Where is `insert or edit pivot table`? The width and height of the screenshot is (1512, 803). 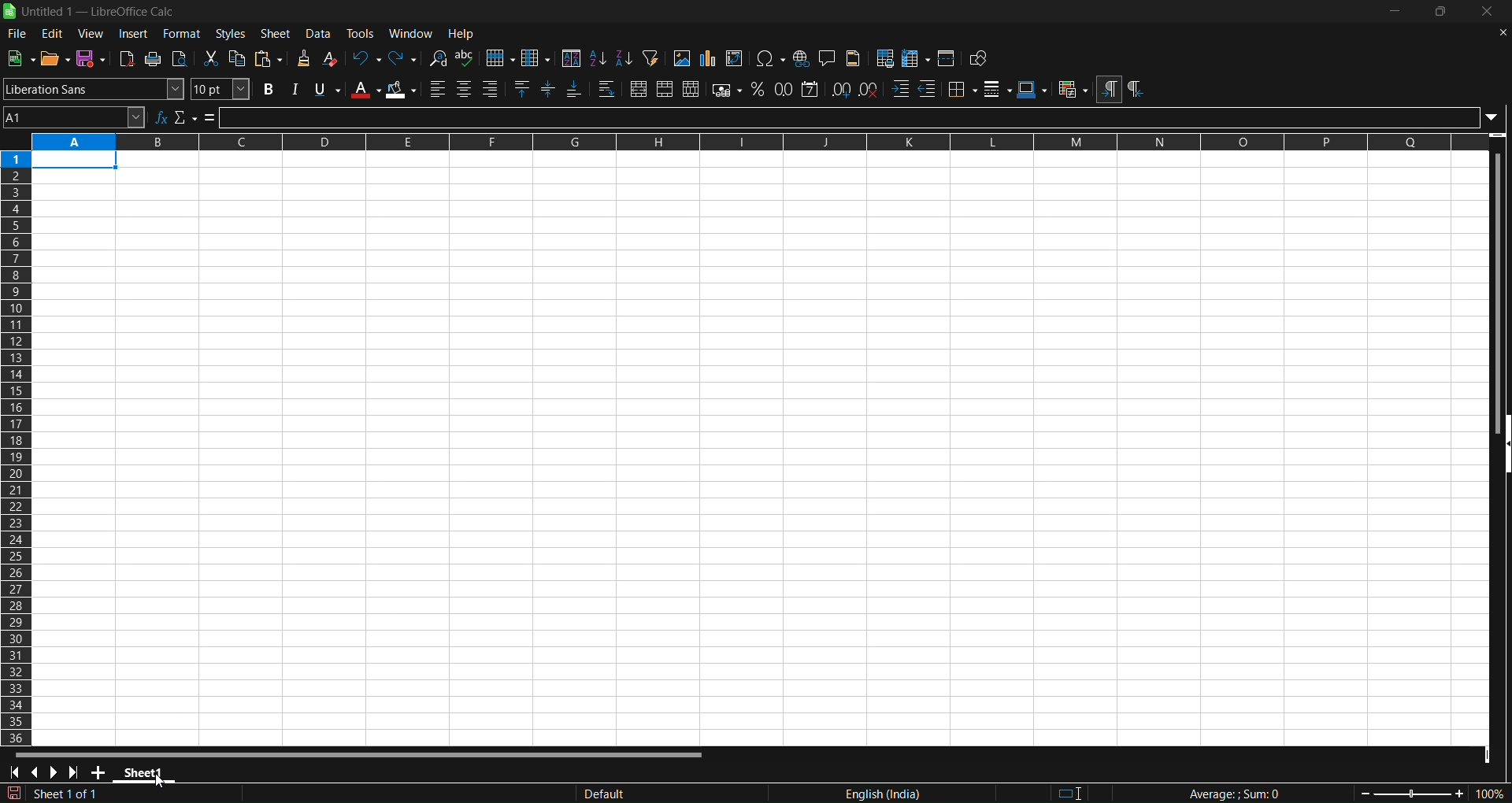
insert or edit pivot table is located at coordinates (736, 58).